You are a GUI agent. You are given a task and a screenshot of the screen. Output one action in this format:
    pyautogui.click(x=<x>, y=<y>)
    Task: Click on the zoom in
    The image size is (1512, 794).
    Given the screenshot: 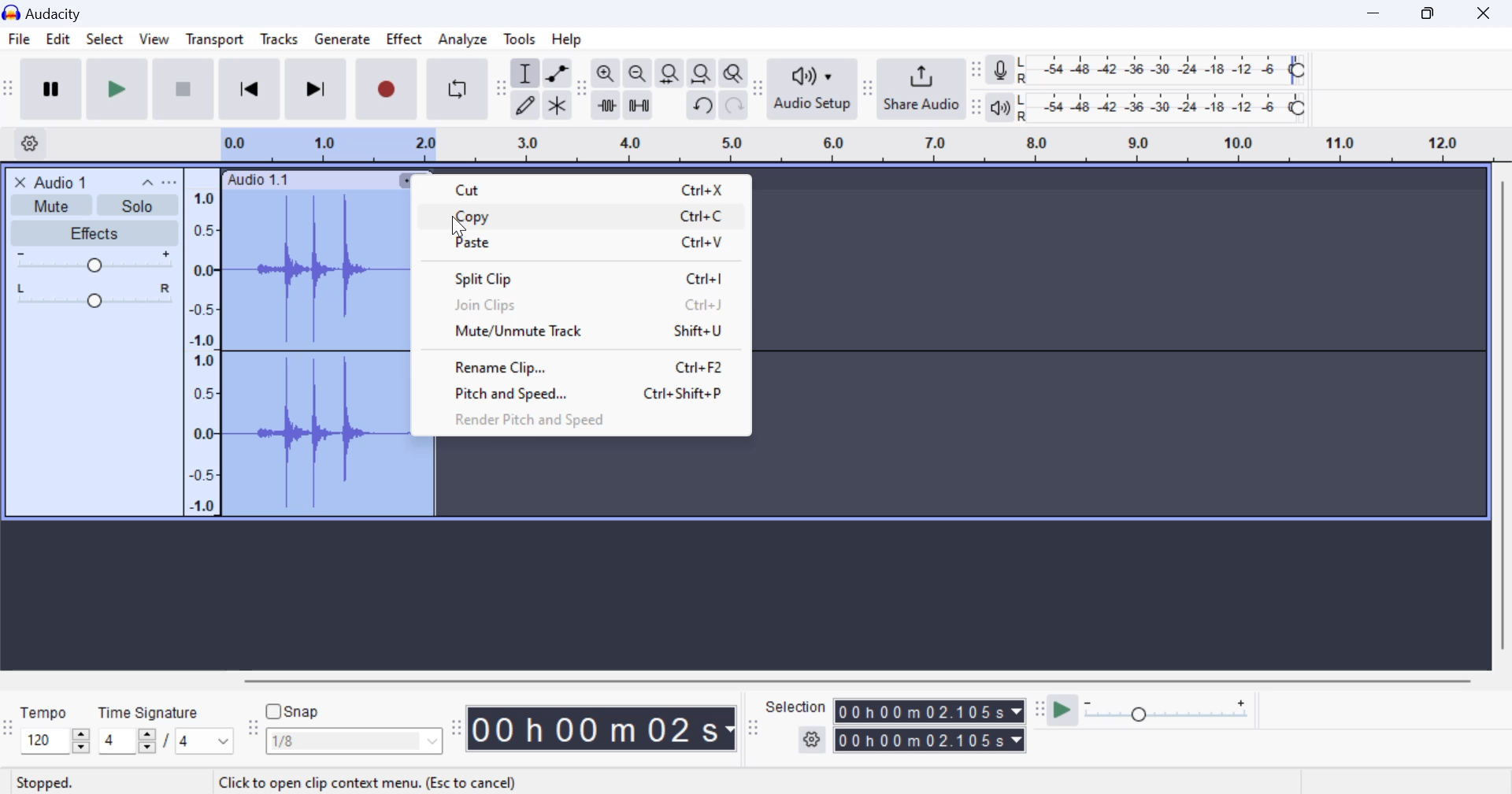 What is the action you would take?
    pyautogui.click(x=606, y=74)
    